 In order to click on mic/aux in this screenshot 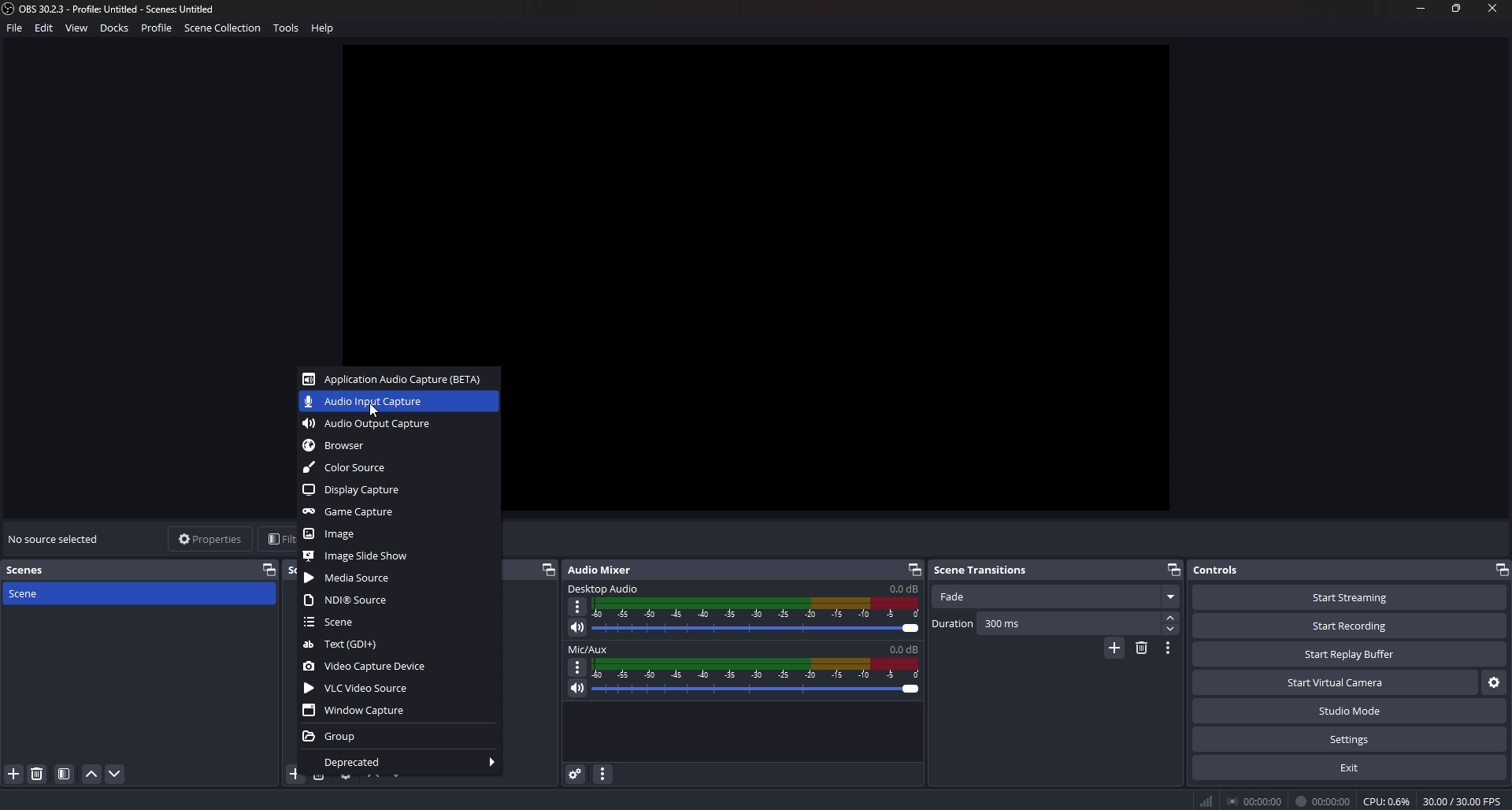, I will do `click(591, 650)`.